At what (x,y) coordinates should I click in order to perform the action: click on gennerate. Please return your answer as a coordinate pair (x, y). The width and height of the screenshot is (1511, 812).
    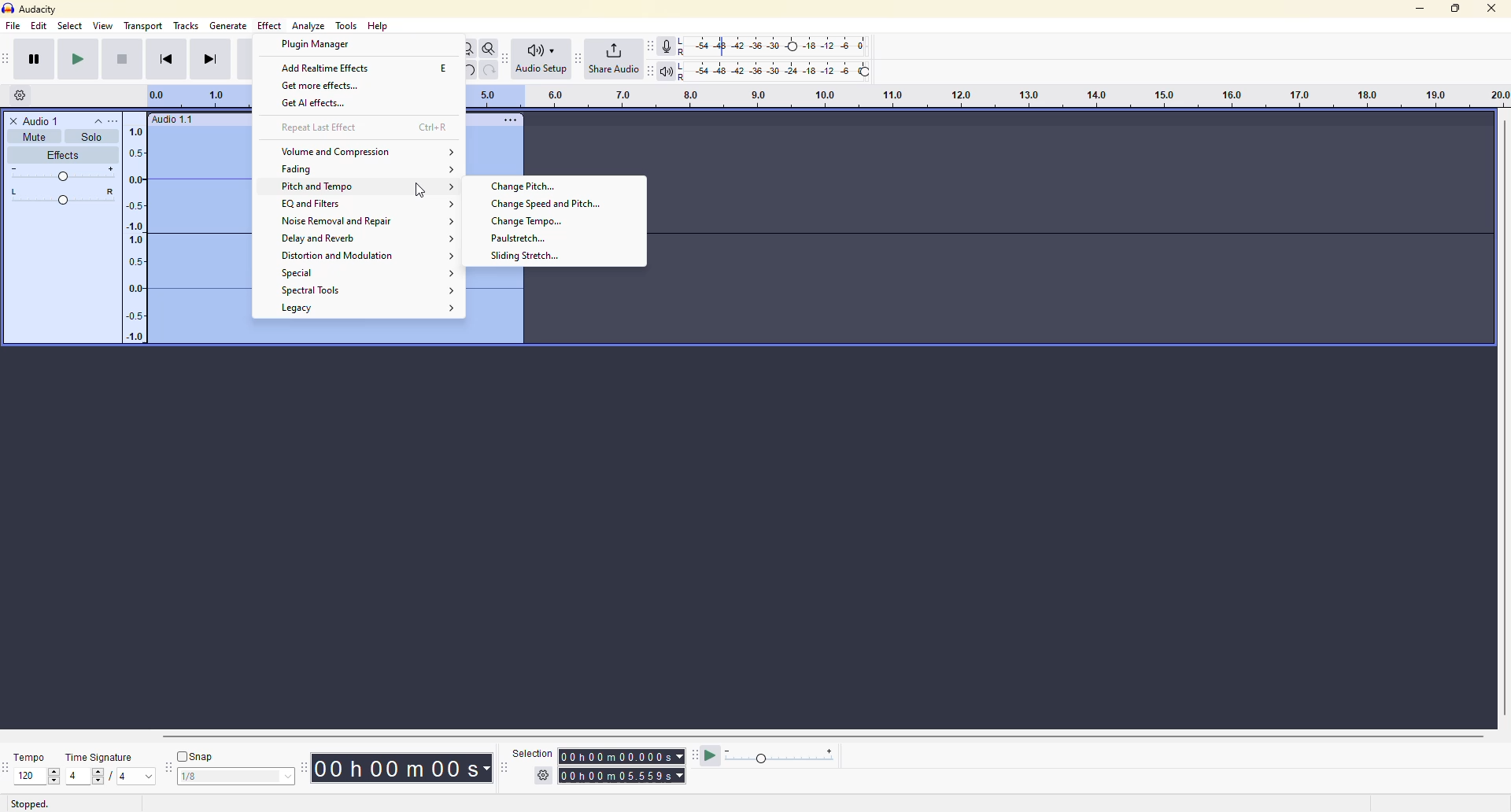
    Looking at the image, I should click on (227, 25).